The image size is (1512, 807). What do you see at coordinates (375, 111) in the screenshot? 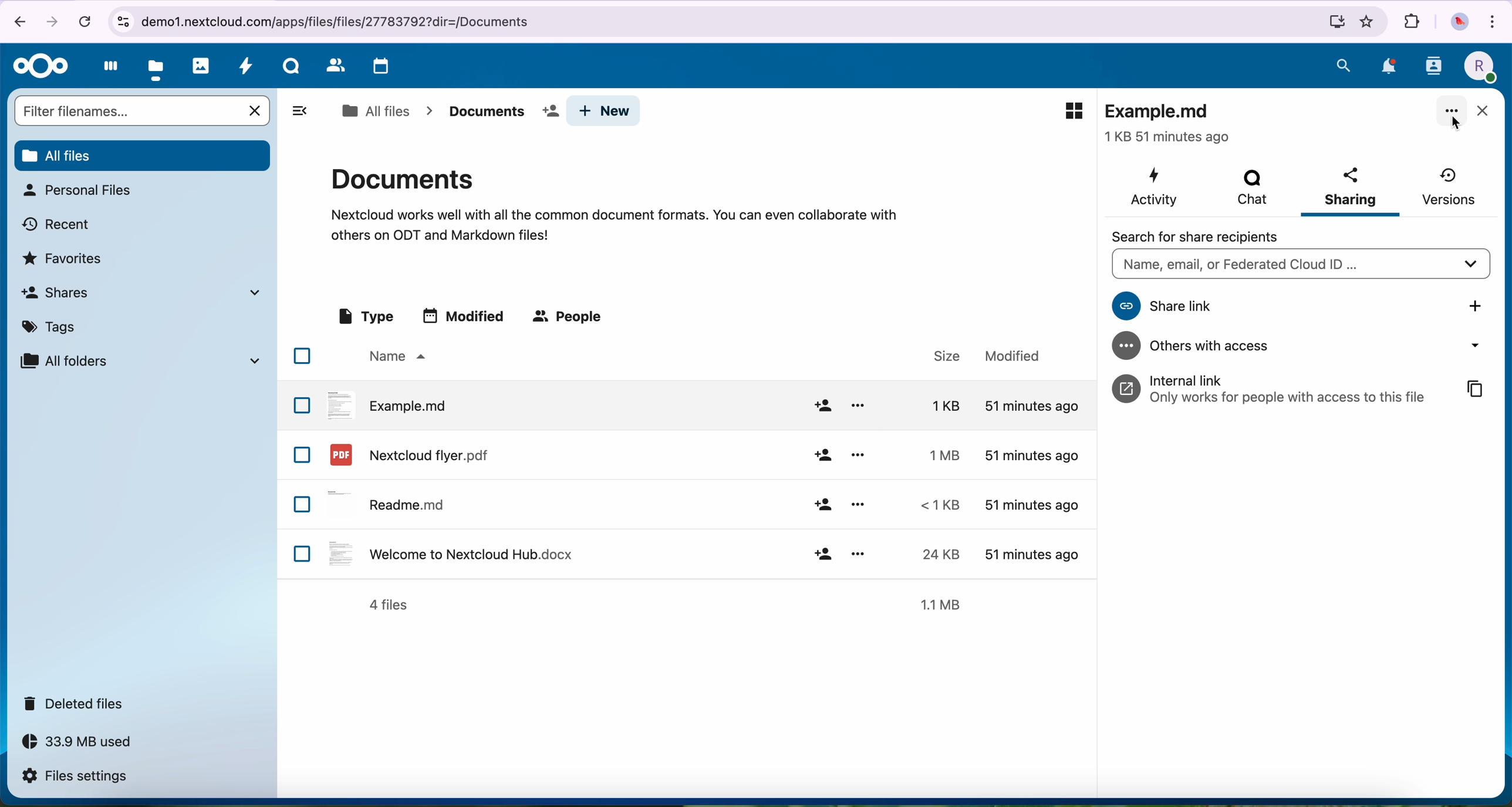
I see `all files` at bounding box center [375, 111].